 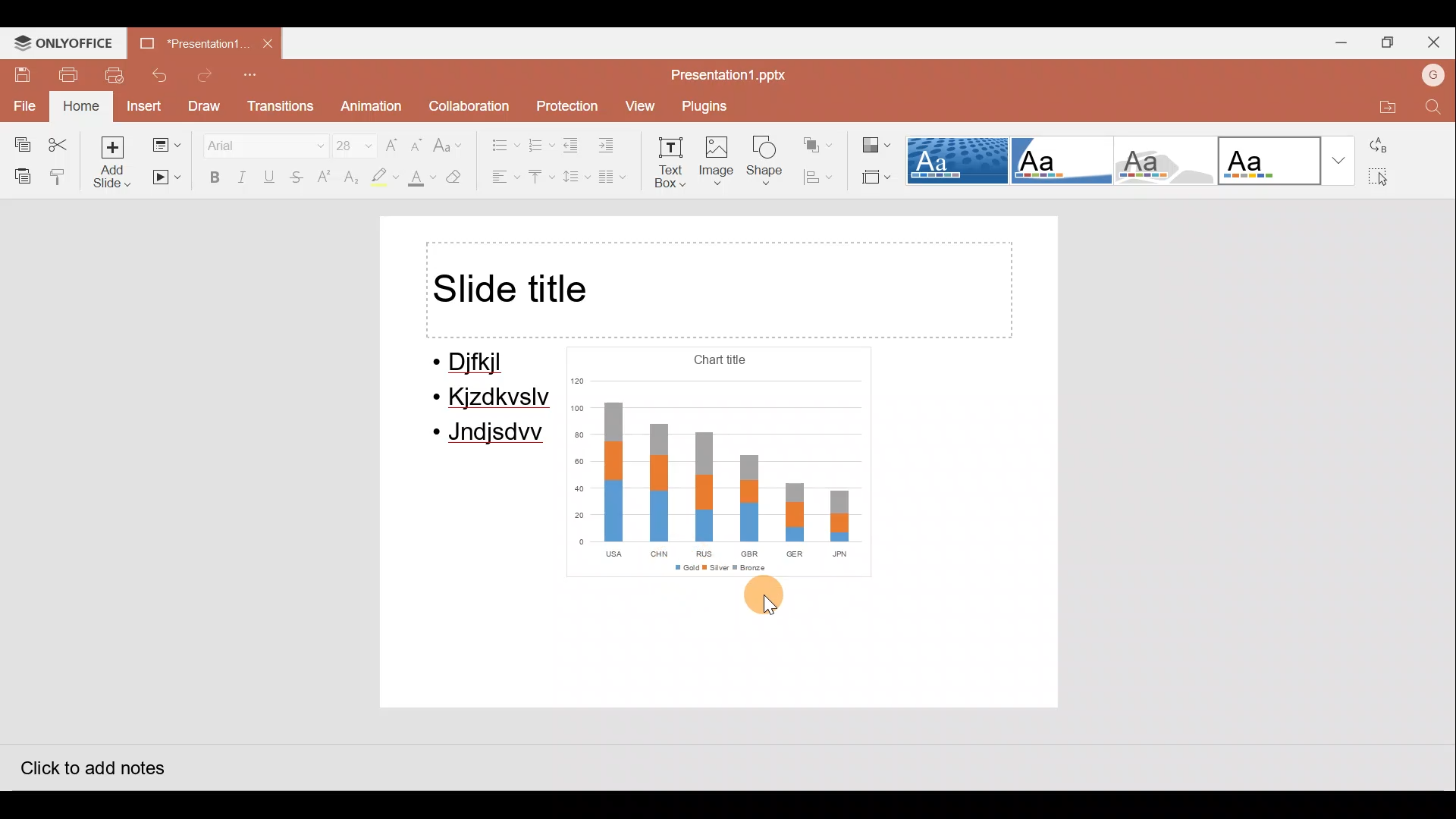 I want to click on Change case, so click(x=451, y=139).